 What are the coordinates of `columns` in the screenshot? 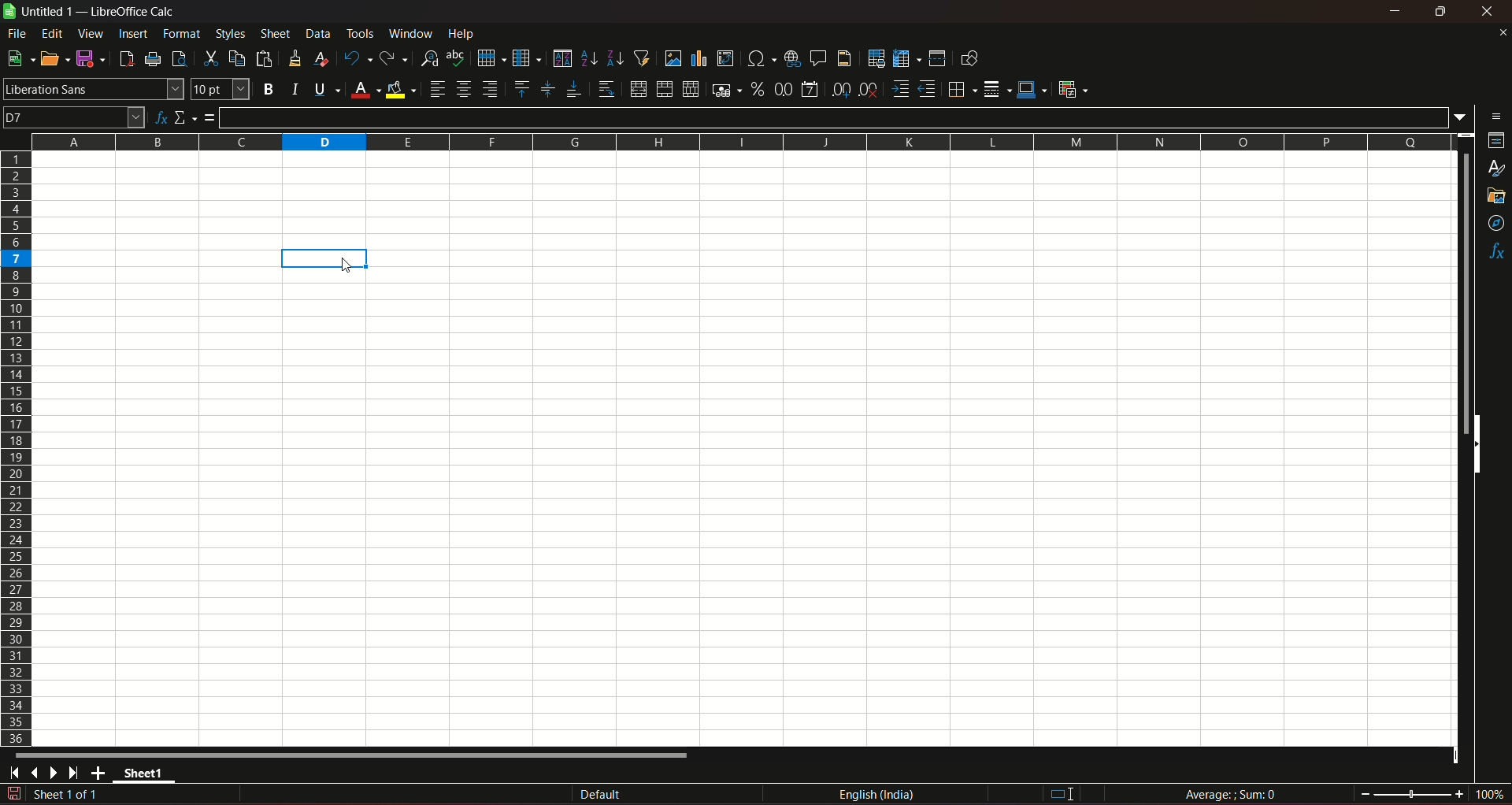 It's located at (738, 139).